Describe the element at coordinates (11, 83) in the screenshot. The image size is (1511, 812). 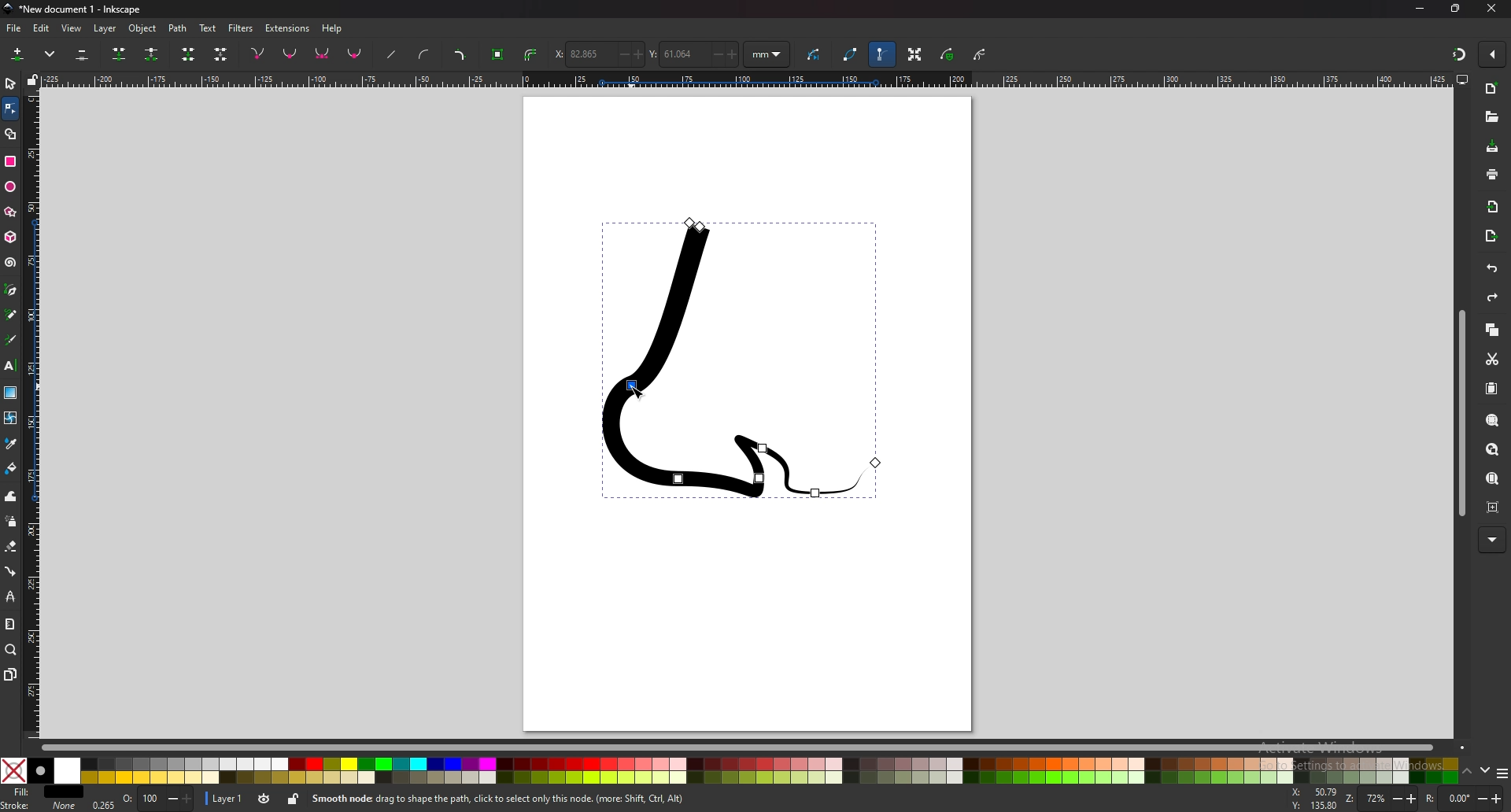
I see `selector` at that location.